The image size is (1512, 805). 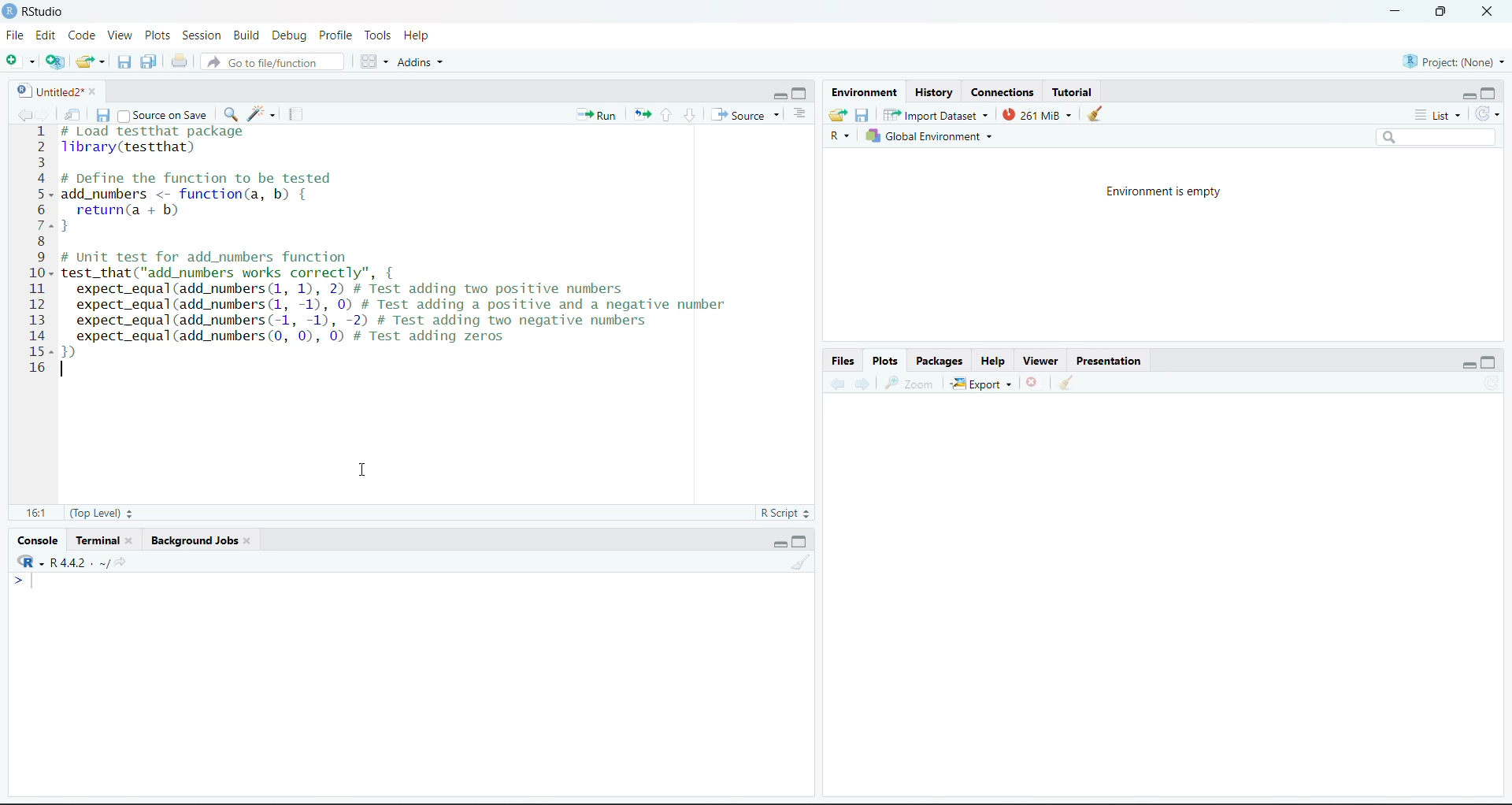 I want to click on (Top Level), so click(x=90, y=514).